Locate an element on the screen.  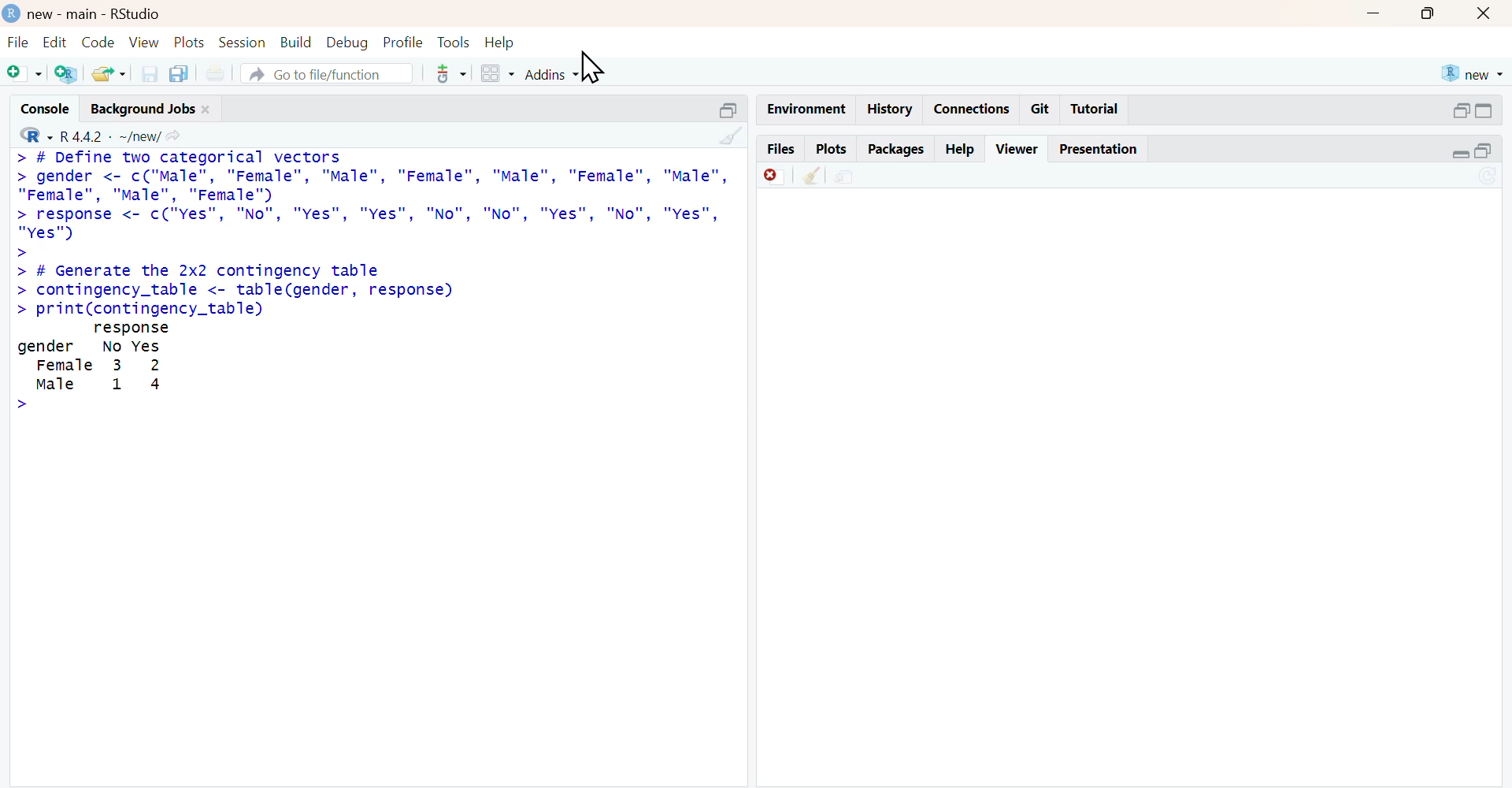
code is located at coordinates (98, 43).